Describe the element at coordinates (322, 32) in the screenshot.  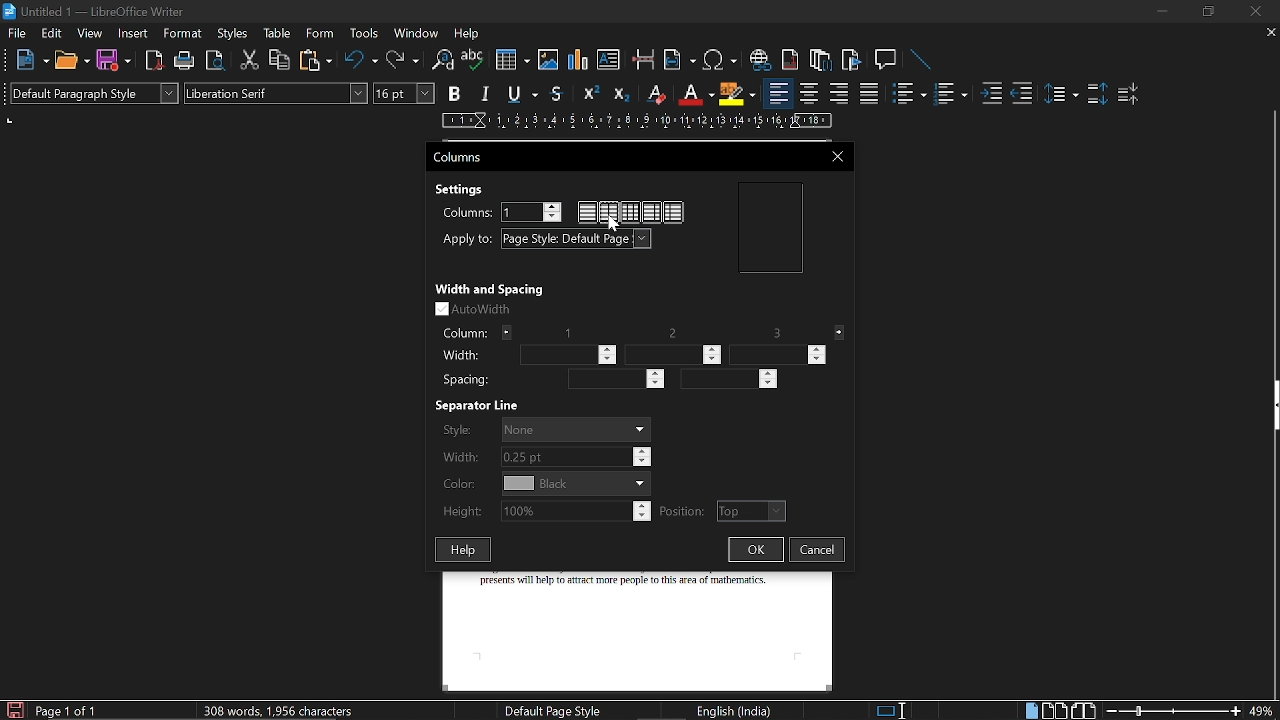
I see `Form` at that location.